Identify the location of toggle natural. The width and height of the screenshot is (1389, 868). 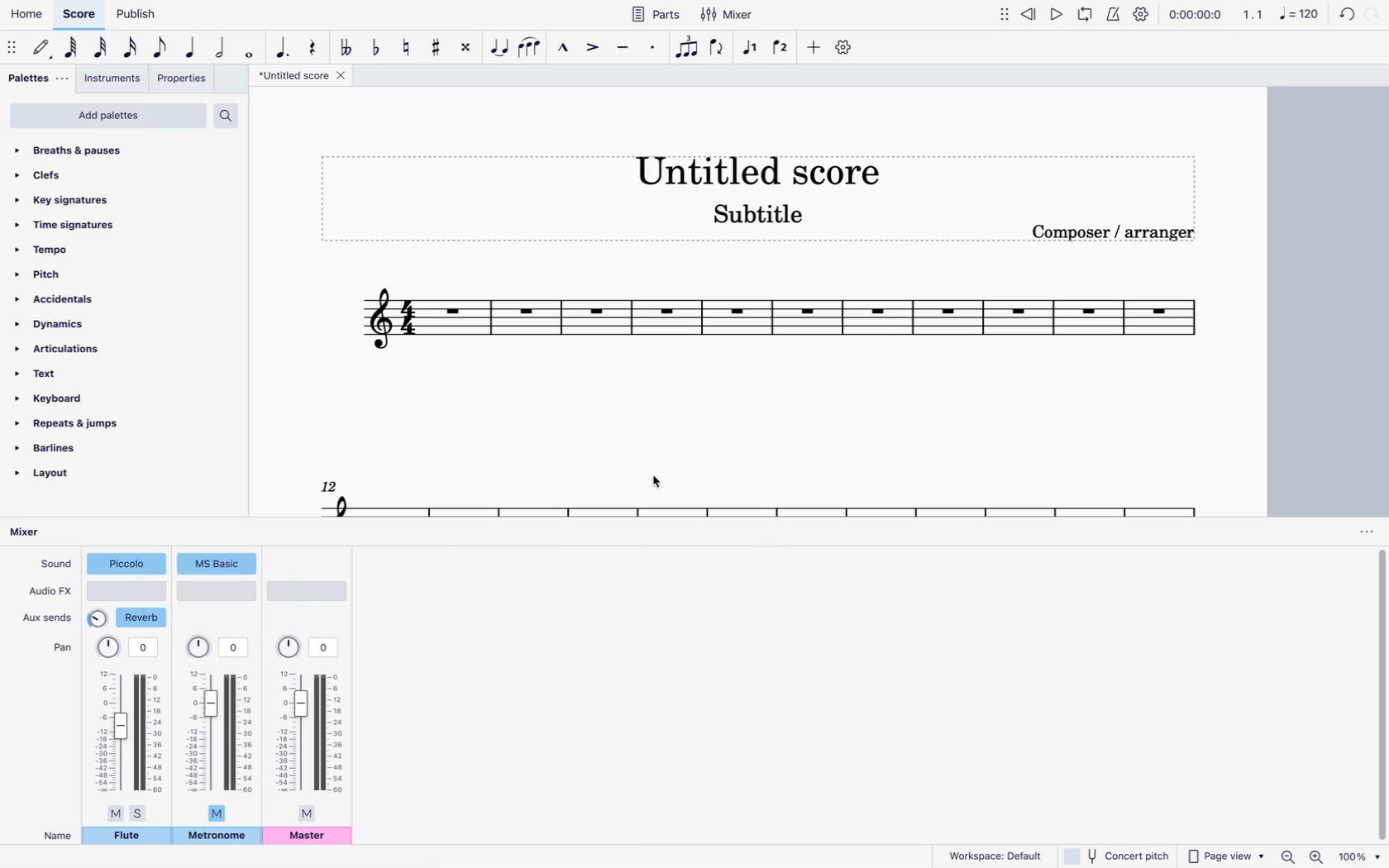
(404, 46).